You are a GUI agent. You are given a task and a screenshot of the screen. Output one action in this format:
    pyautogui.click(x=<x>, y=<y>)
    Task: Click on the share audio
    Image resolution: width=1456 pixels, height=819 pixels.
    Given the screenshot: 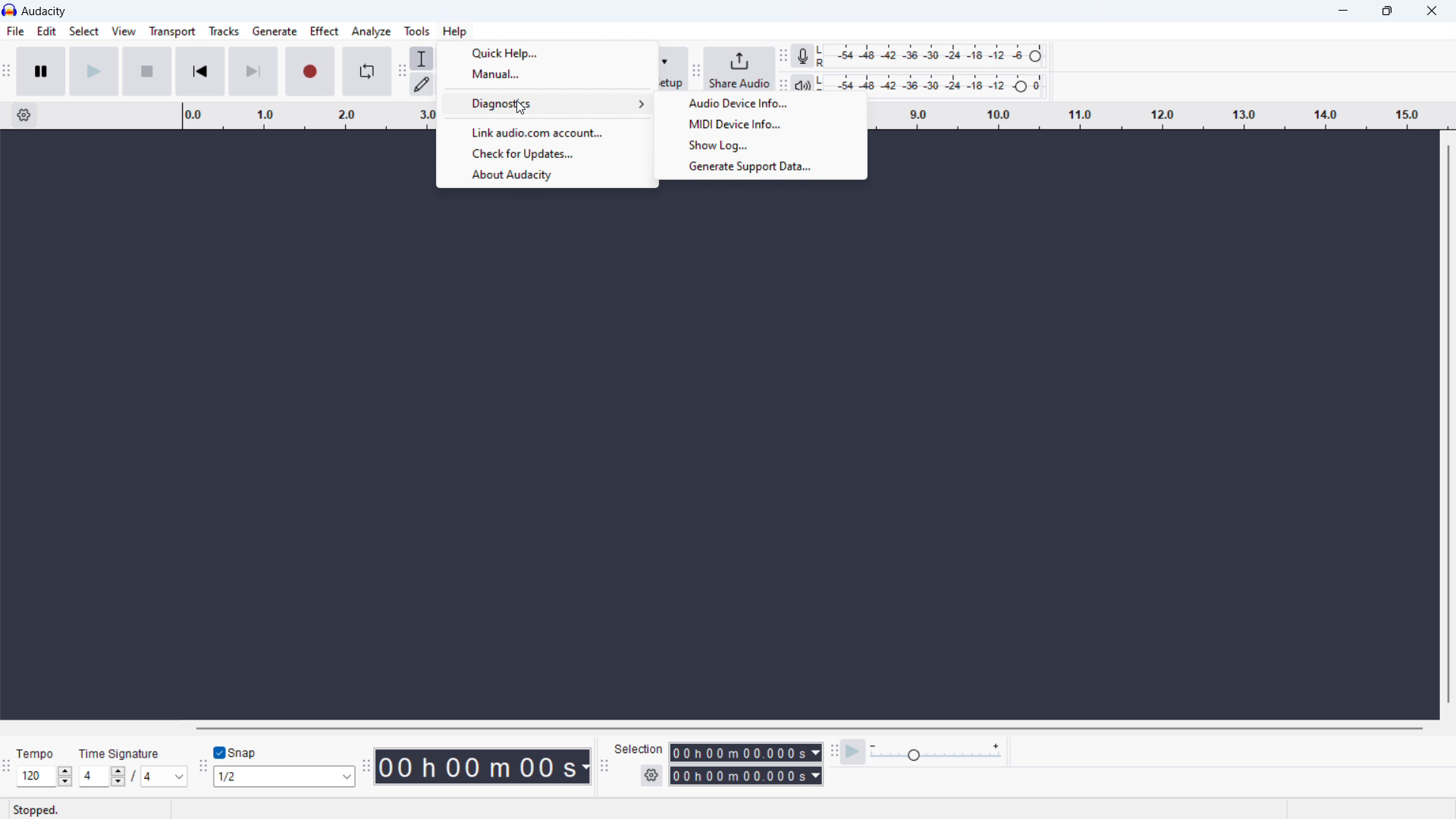 What is the action you would take?
    pyautogui.click(x=739, y=67)
    